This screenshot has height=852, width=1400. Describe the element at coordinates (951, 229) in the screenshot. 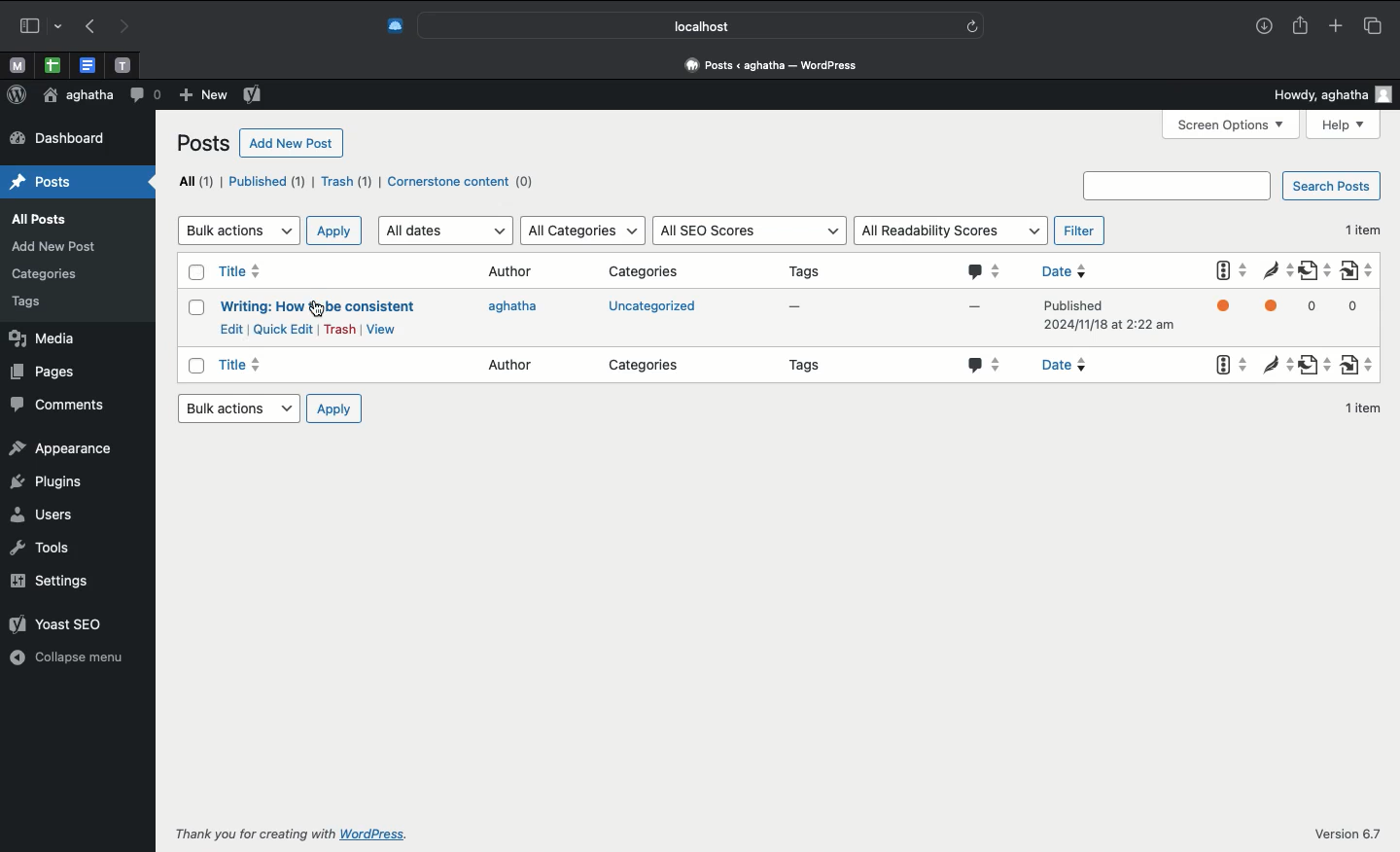

I see `All readability scores` at that location.